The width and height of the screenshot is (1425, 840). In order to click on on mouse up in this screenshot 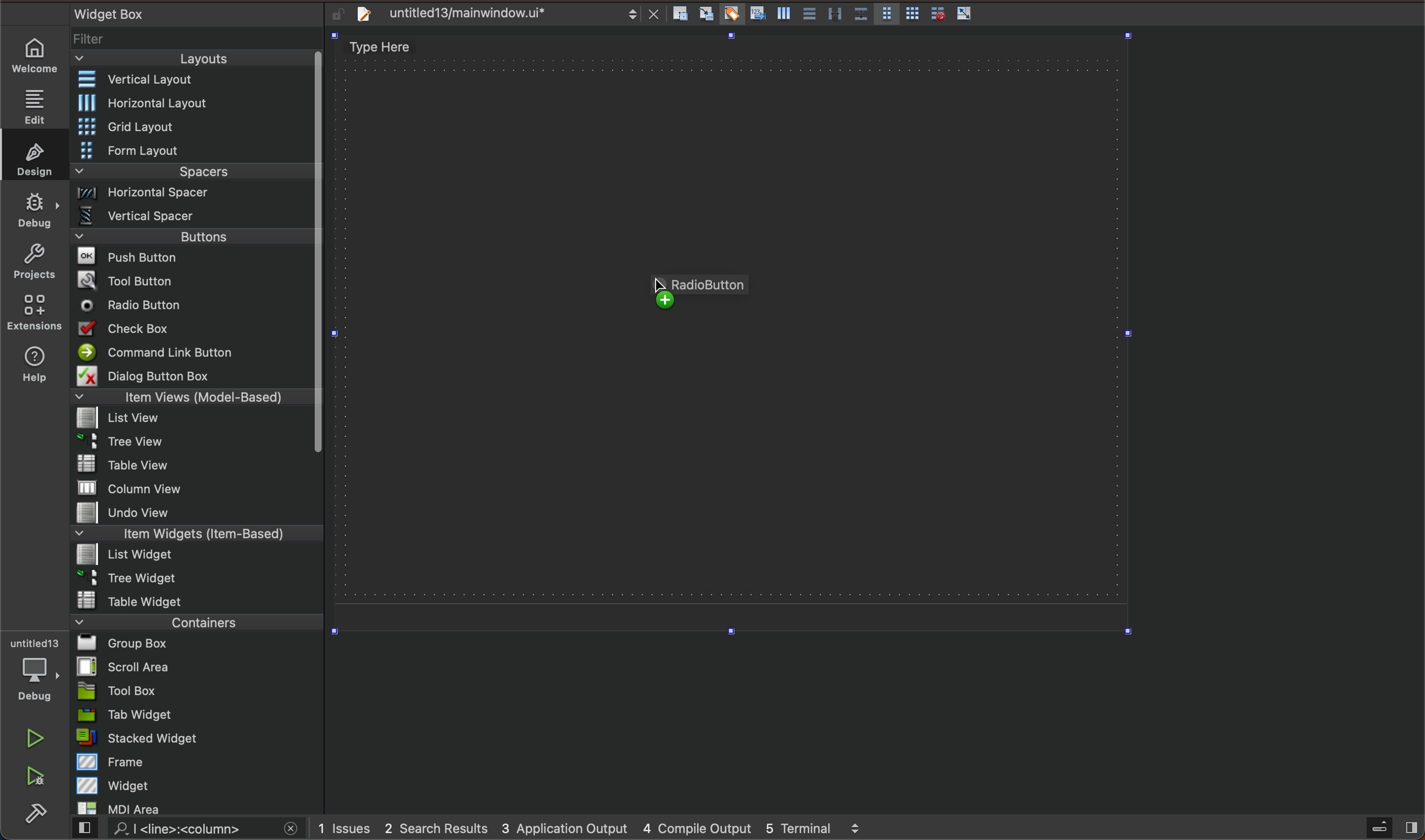, I will do `click(697, 301)`.